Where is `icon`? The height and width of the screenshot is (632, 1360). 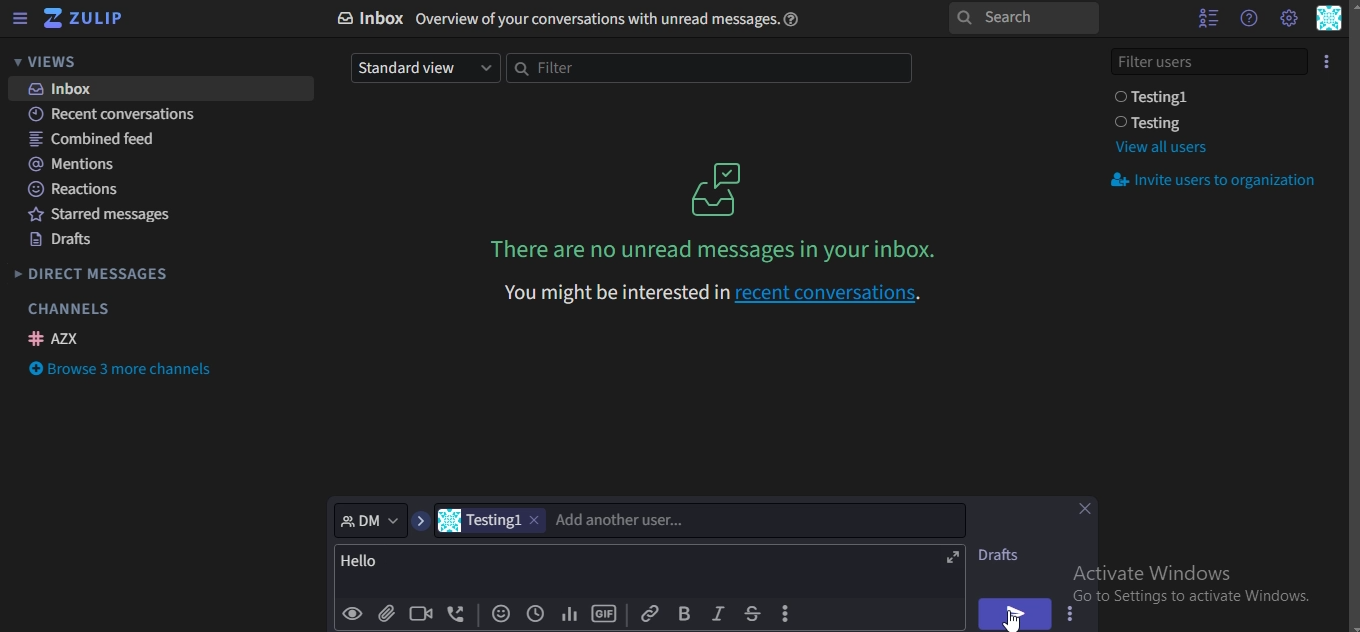 icon is located at coordinates (1328, 60).